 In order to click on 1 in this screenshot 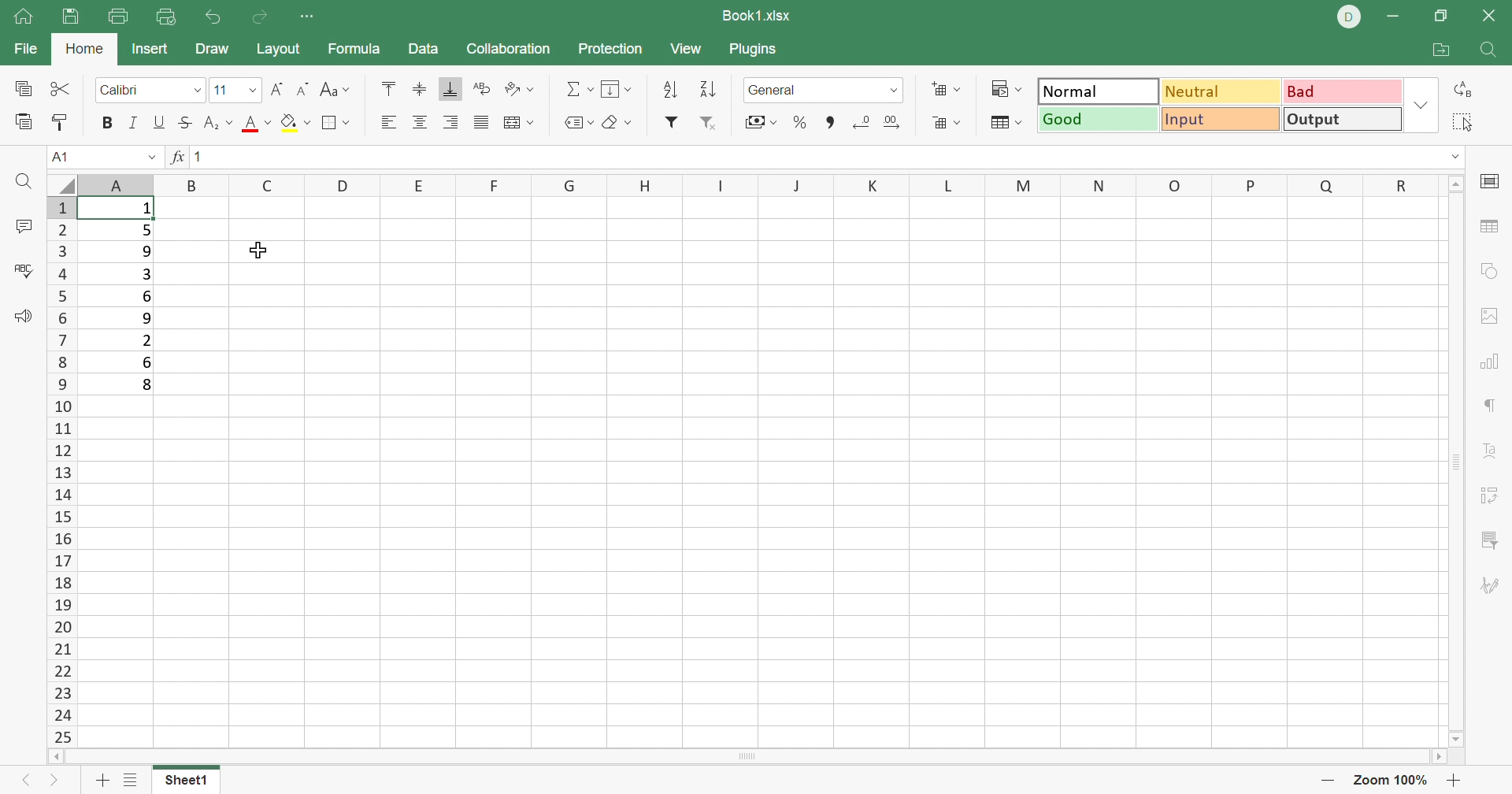, I will do `click(147, 210)`.